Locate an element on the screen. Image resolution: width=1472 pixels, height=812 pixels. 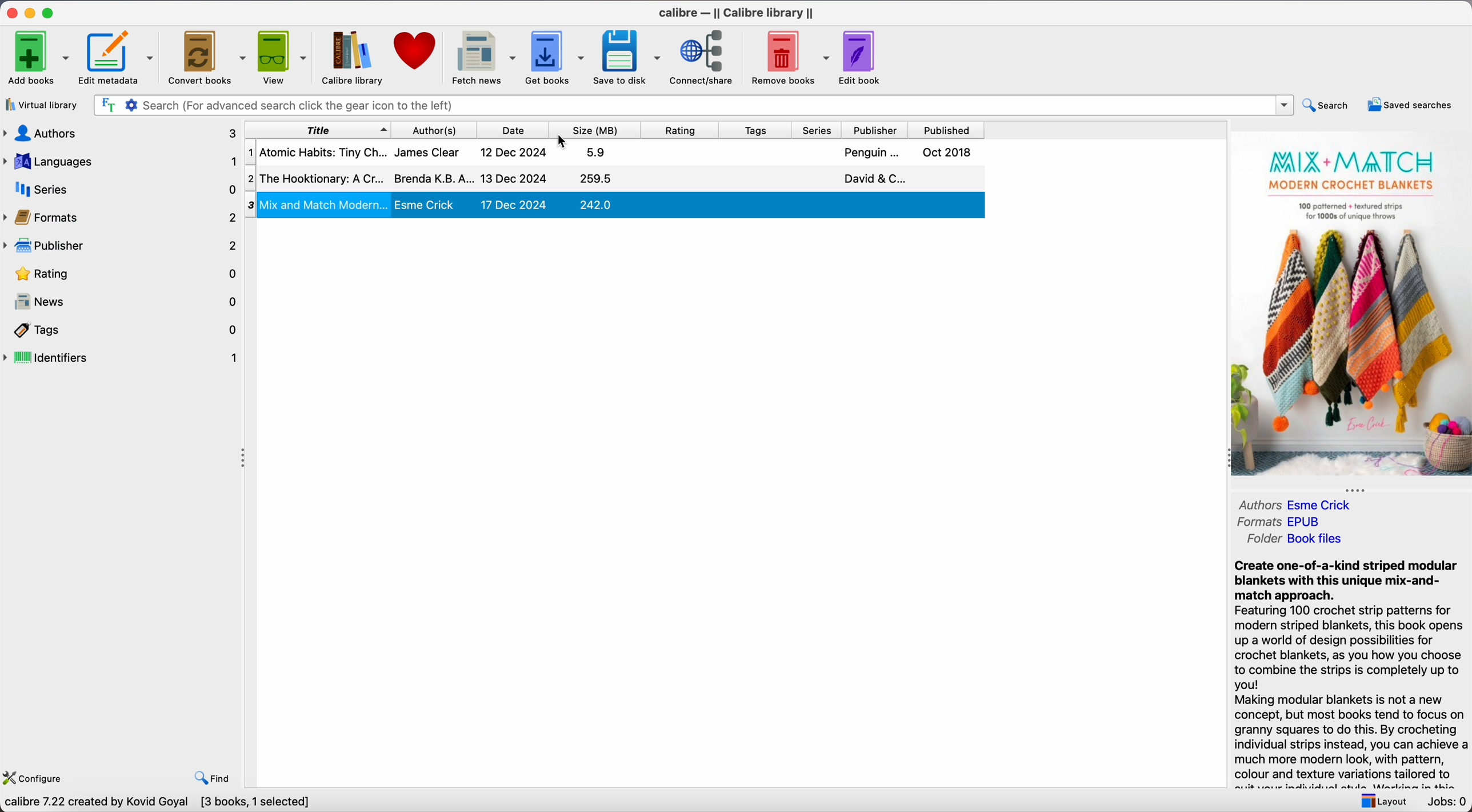
title is located at coordinates (317, 129).